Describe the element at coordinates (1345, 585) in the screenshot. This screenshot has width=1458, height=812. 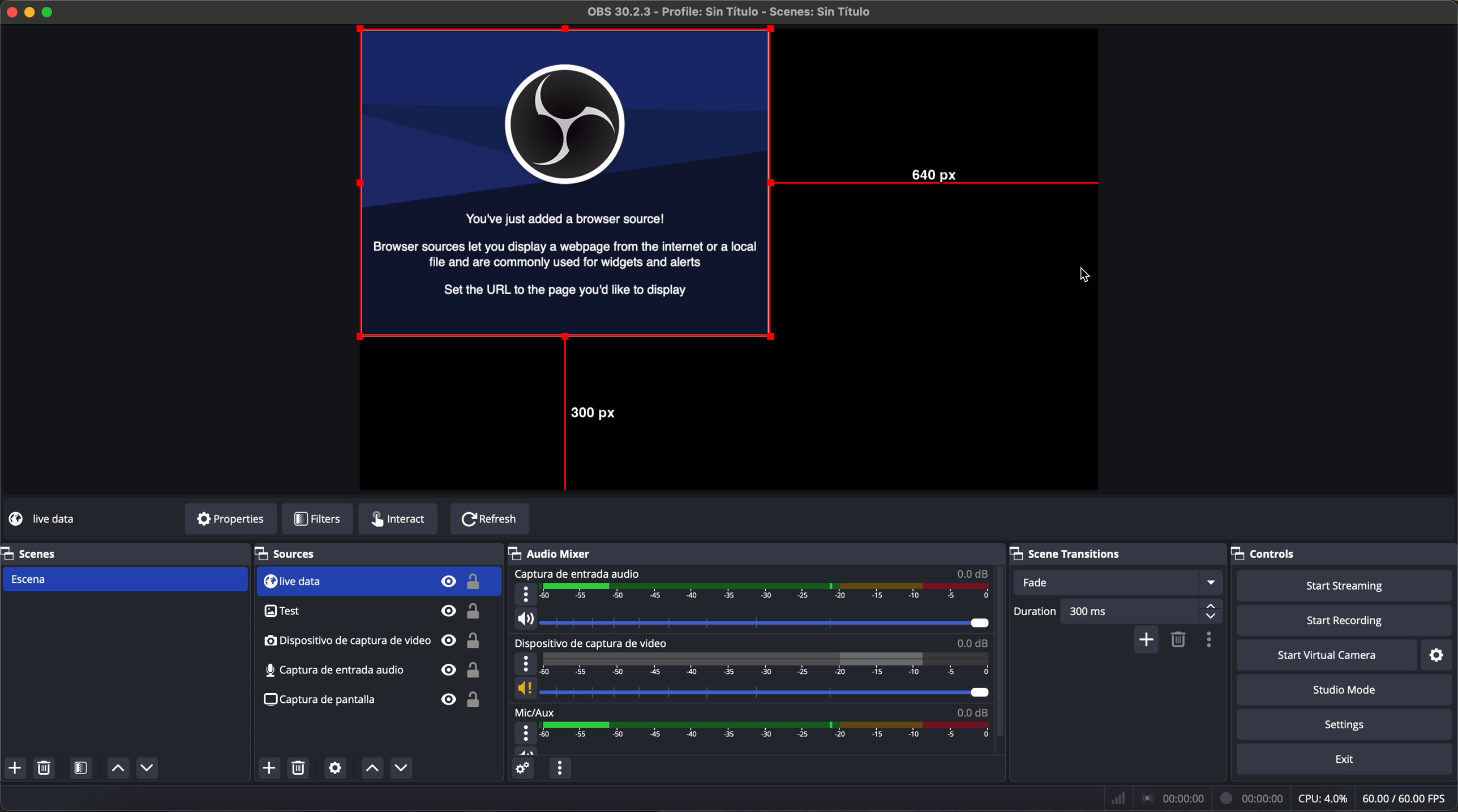
I see `start streaming` at that location.